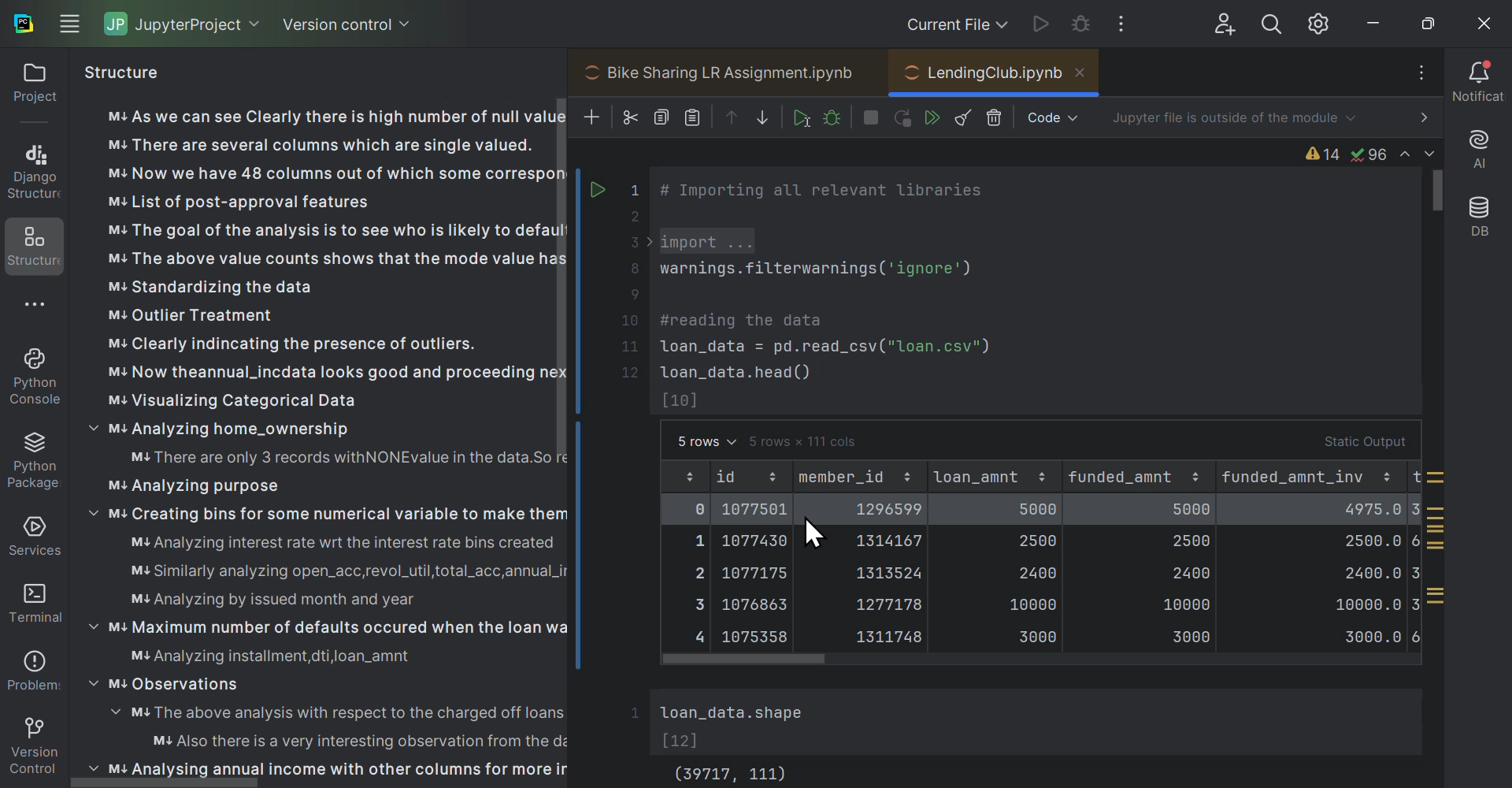  Describe the element at coordinates (801, 117) in the screenshot. I see `Run cell` at that location.